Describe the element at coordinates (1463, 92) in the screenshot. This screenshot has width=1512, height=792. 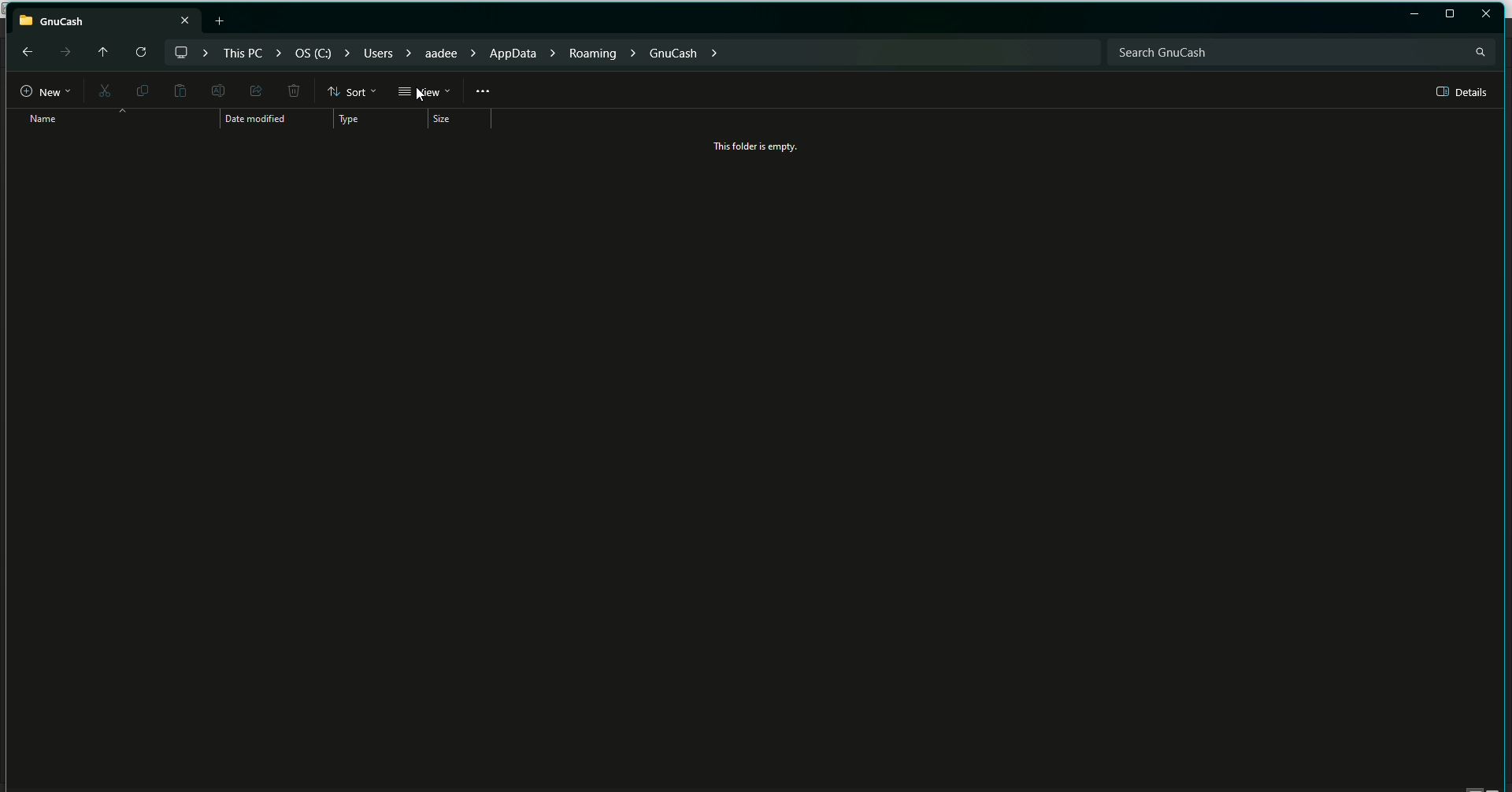
I see `Details` at that location.